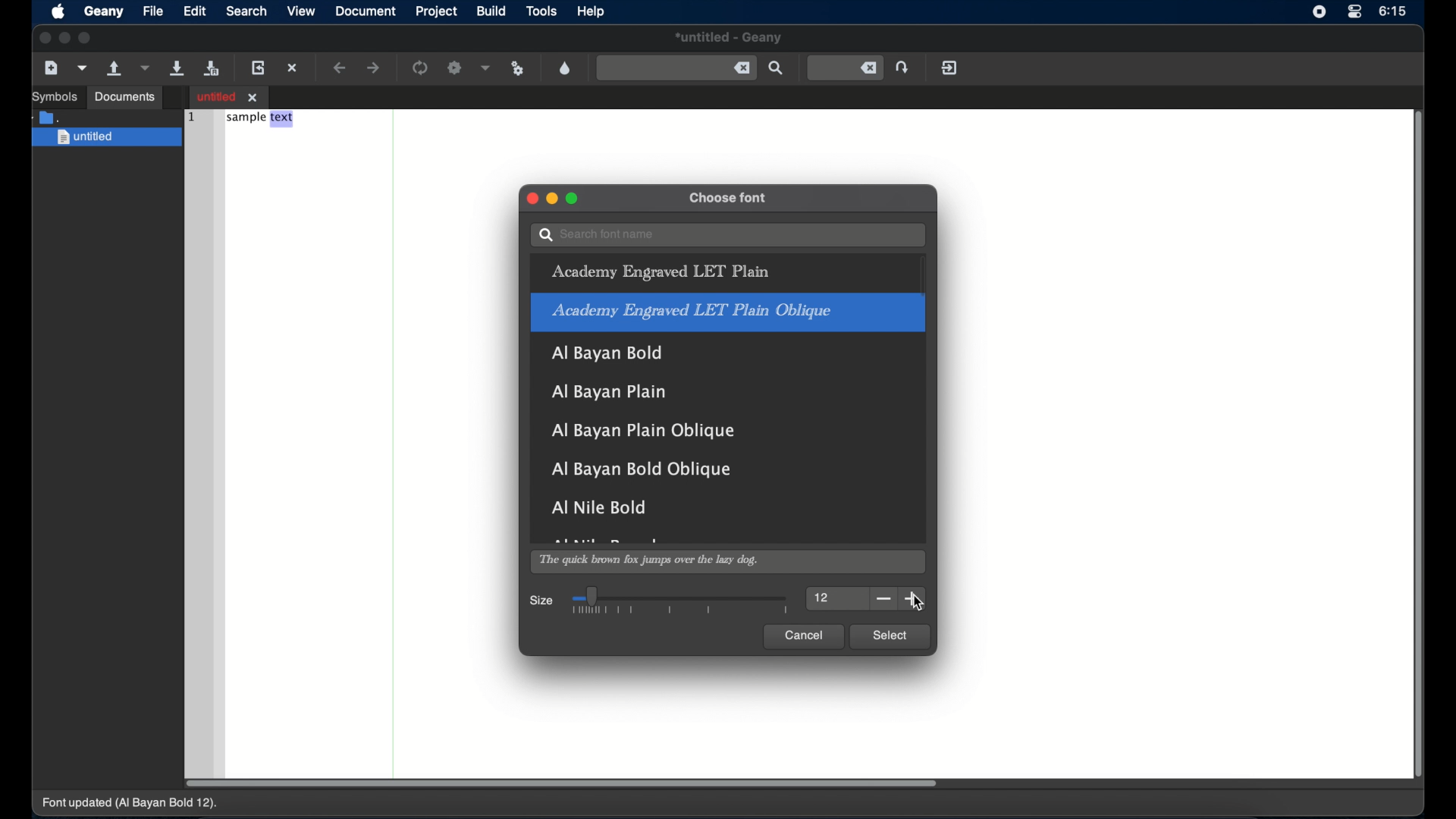 This screenshot has width=1456, height=819. I want to click on minimize , so click(553, 199).